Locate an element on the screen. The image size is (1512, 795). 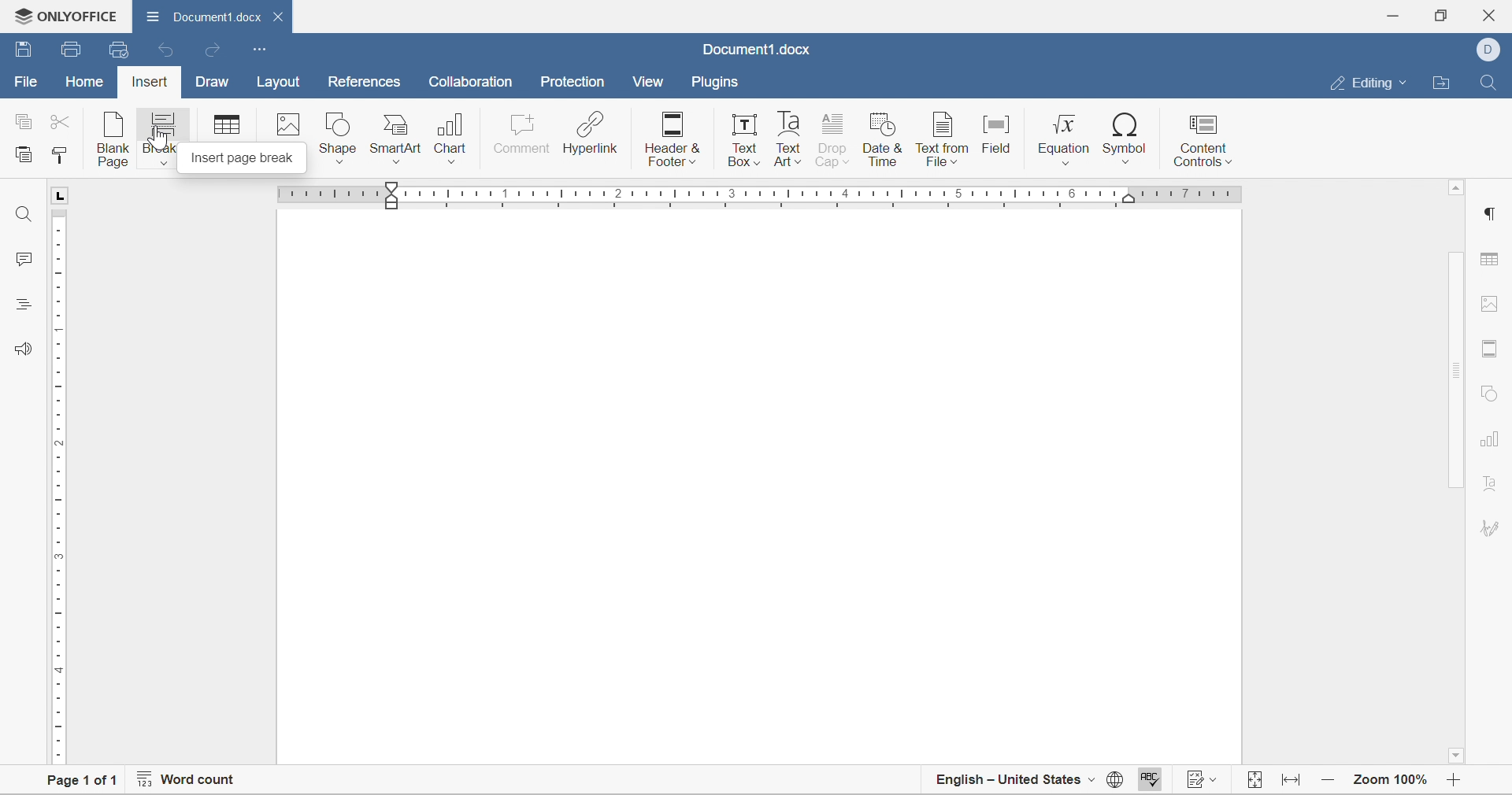
Document.docx is located at coordinates (215, 17).